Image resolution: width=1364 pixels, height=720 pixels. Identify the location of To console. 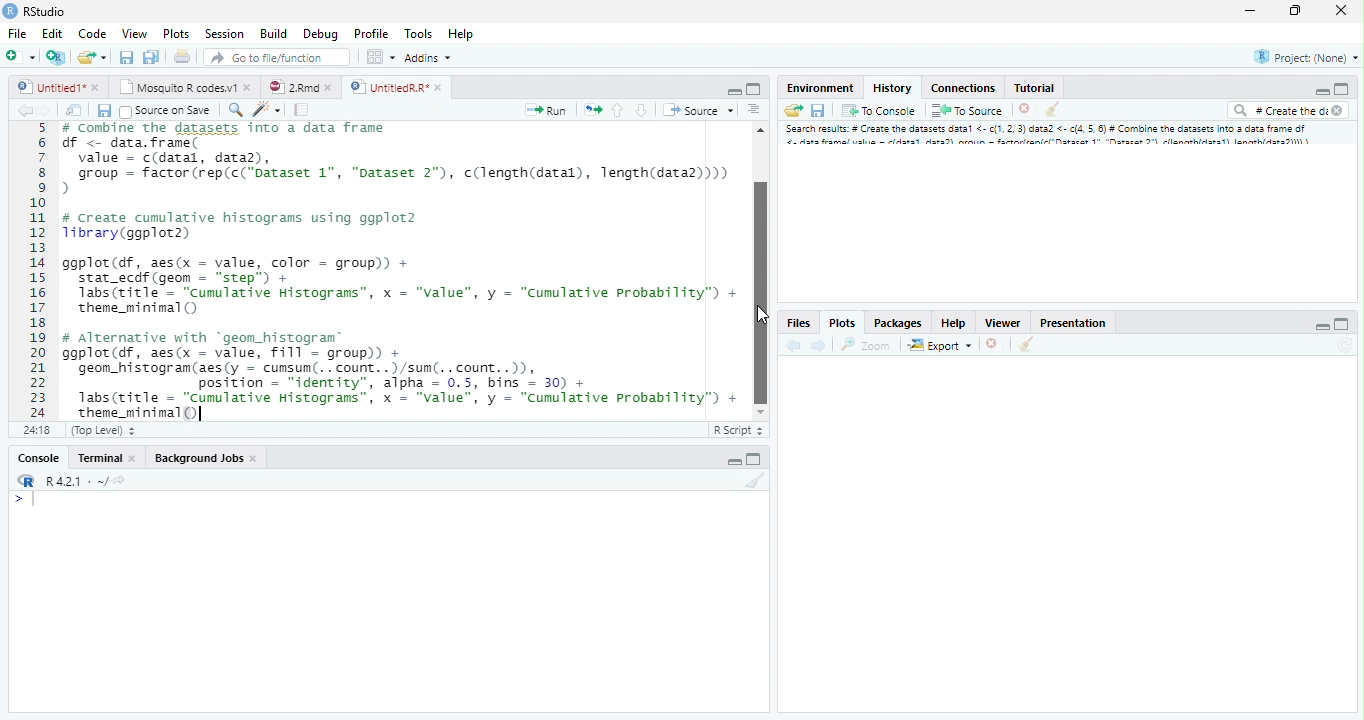
(881, 111).